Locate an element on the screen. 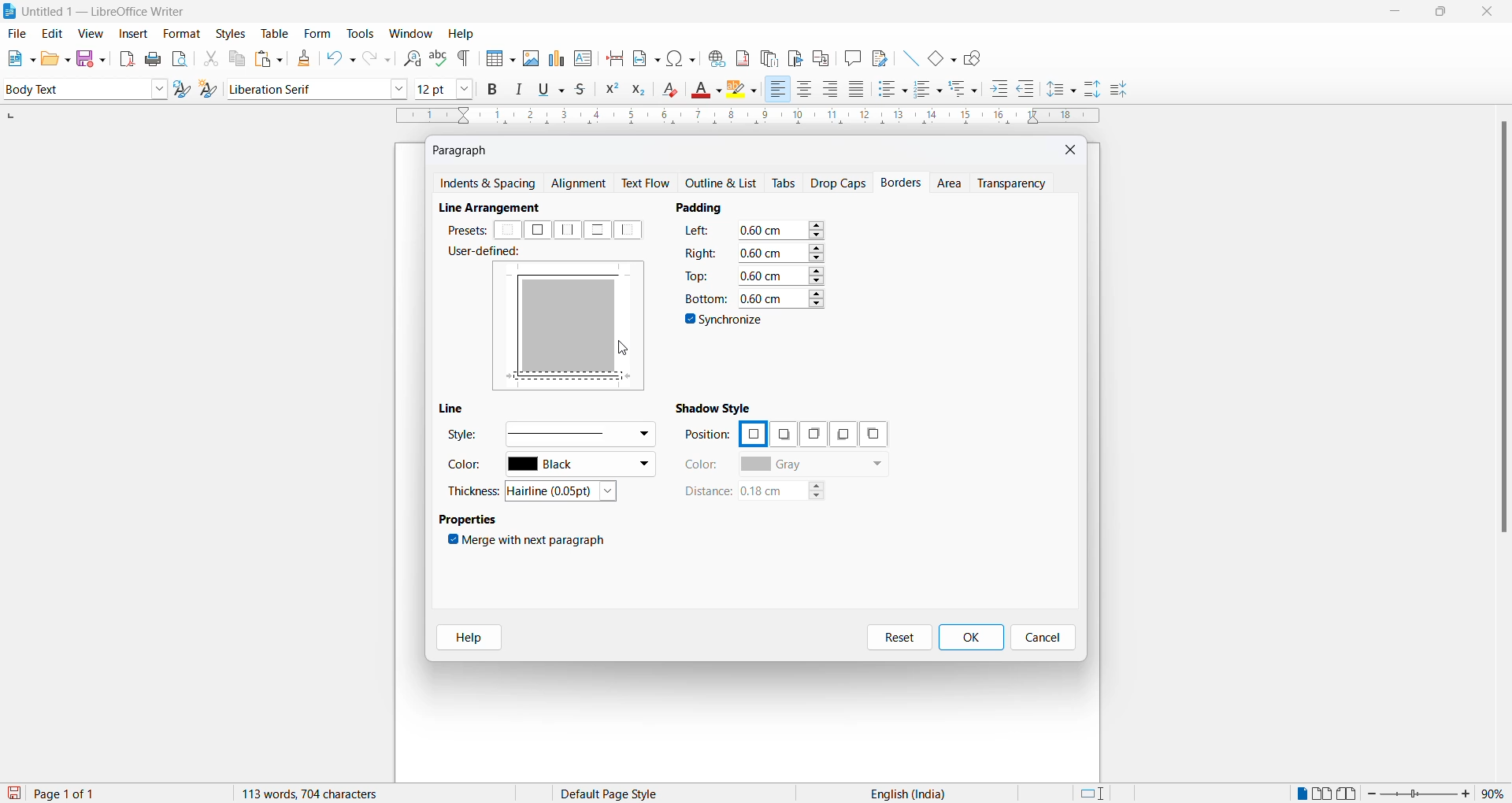 Image resolution: width=1512 pixels, height=803 pixels. file title is located at coordinates (95, 11).